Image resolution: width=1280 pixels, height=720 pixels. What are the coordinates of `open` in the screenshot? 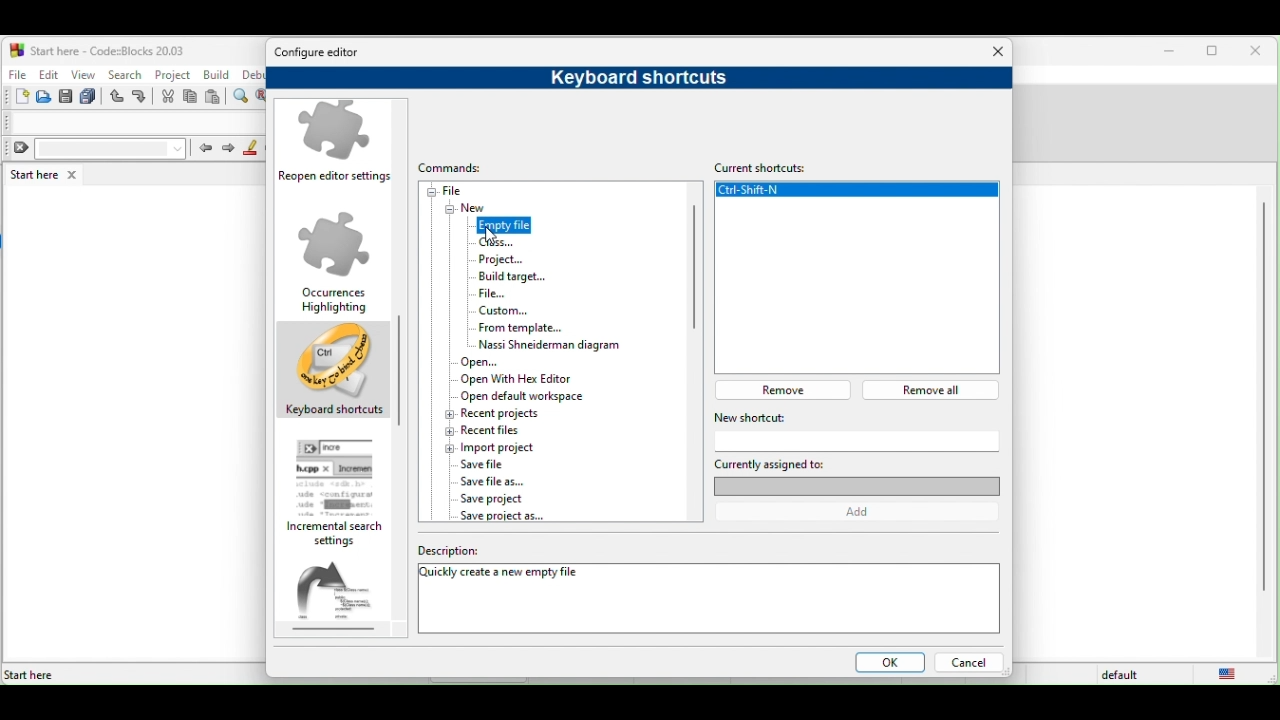 It's located at (488, 361).